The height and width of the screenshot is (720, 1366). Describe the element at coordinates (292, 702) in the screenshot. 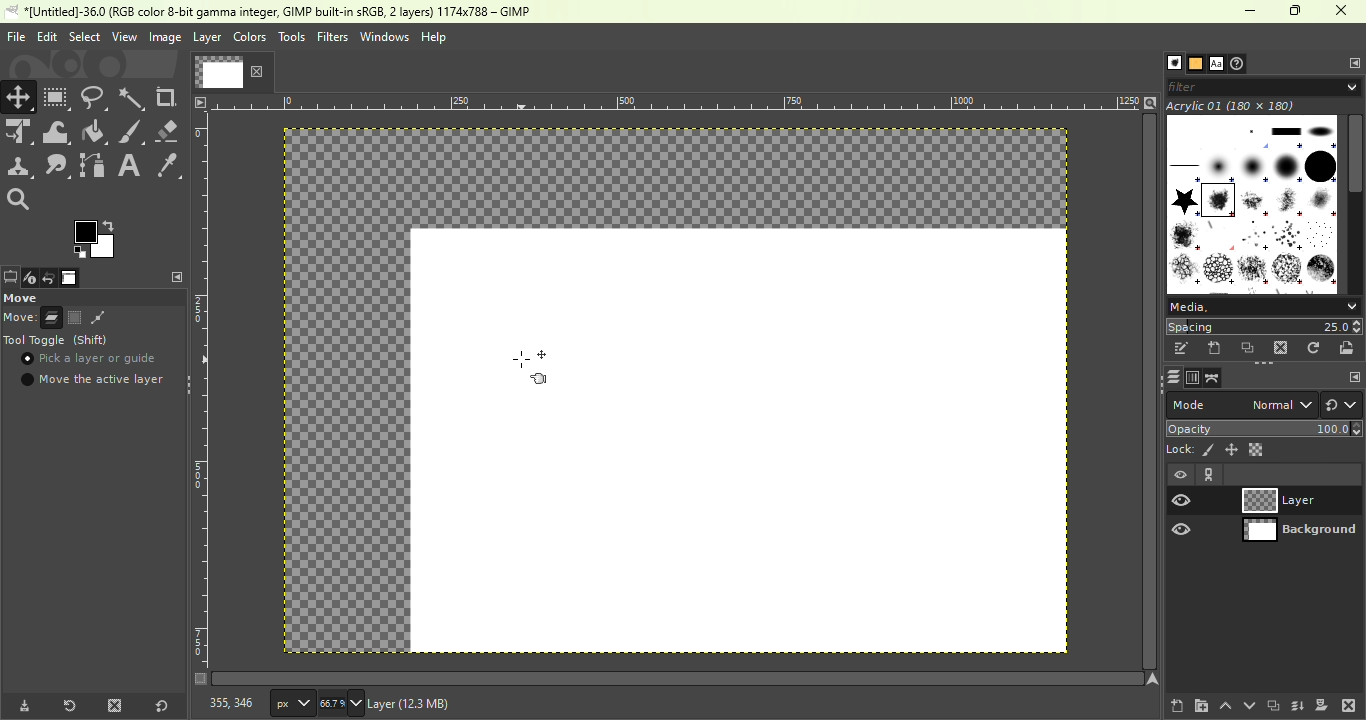

I see `Ruler measurement` at that location.